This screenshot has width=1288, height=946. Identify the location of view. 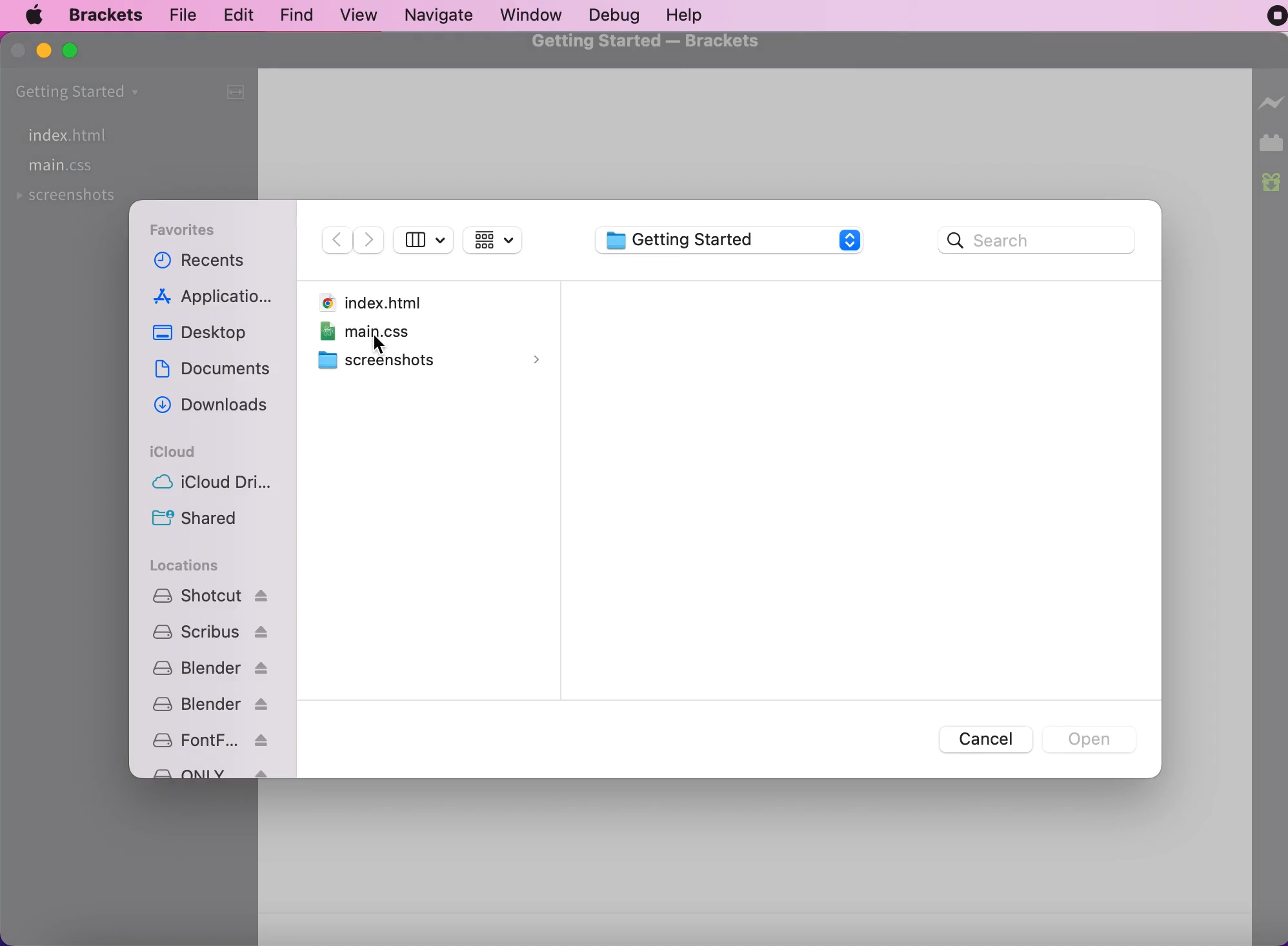
(361, 14).